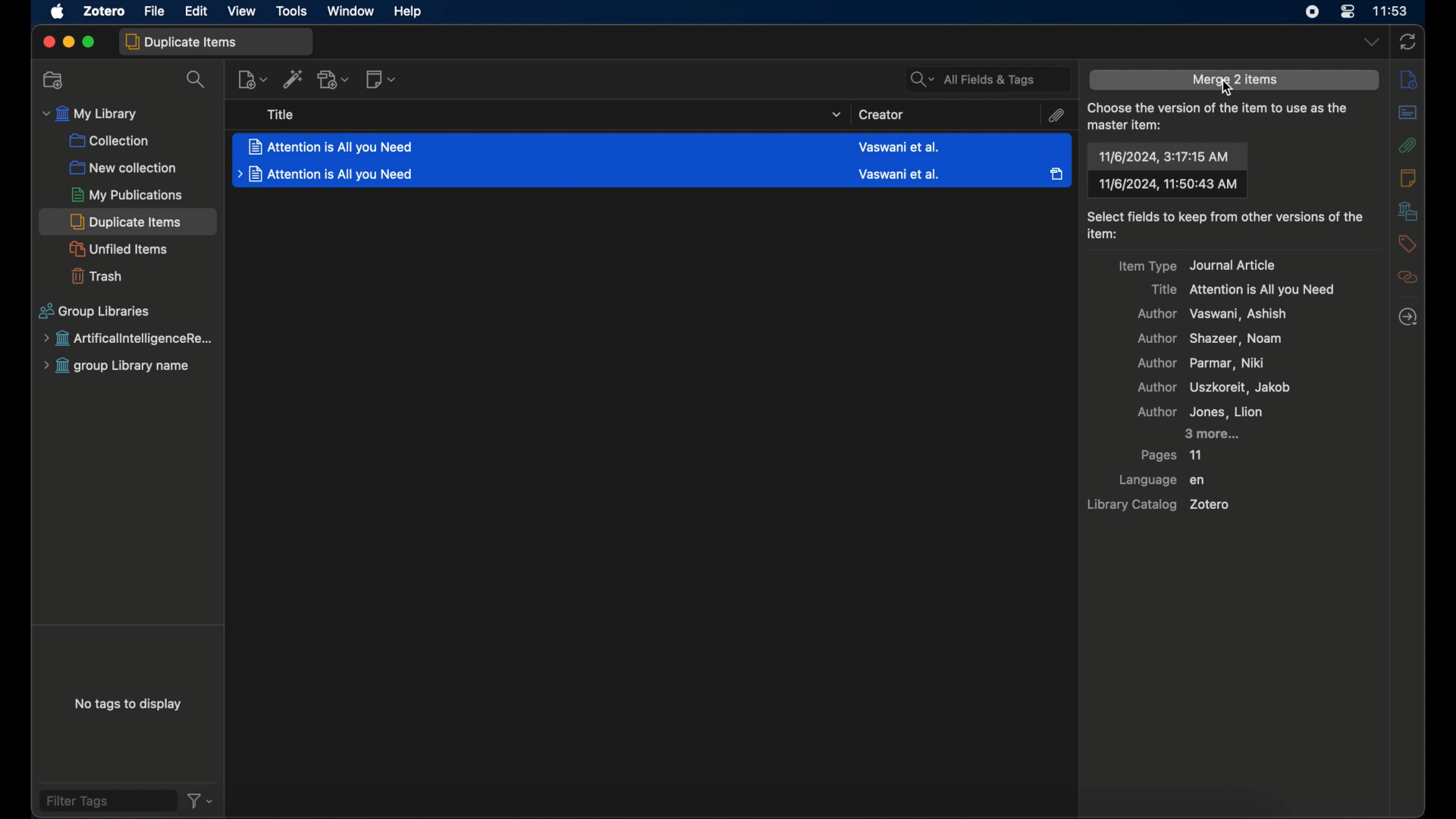 This screenshot has height=819, width=1456. What do you see at coordinates (90, 42) in the screenshot?
I see `maximize` at bounding box center [90, 42].